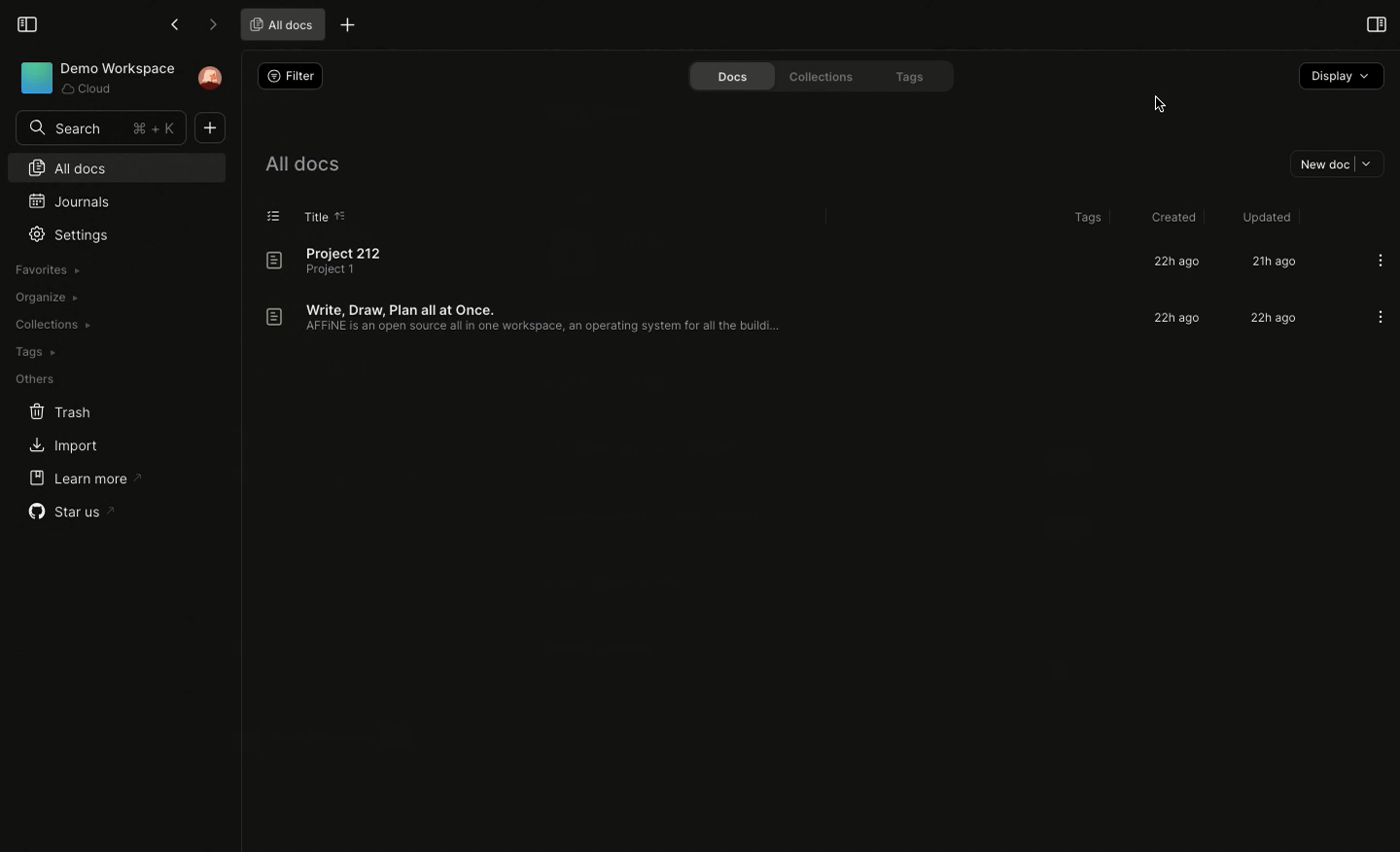 This screenshot has width=1400, height=852. What do you see at coordinates (334, 261) in the screenshot?
I see `Project 212` at bounding box center [334, 261].